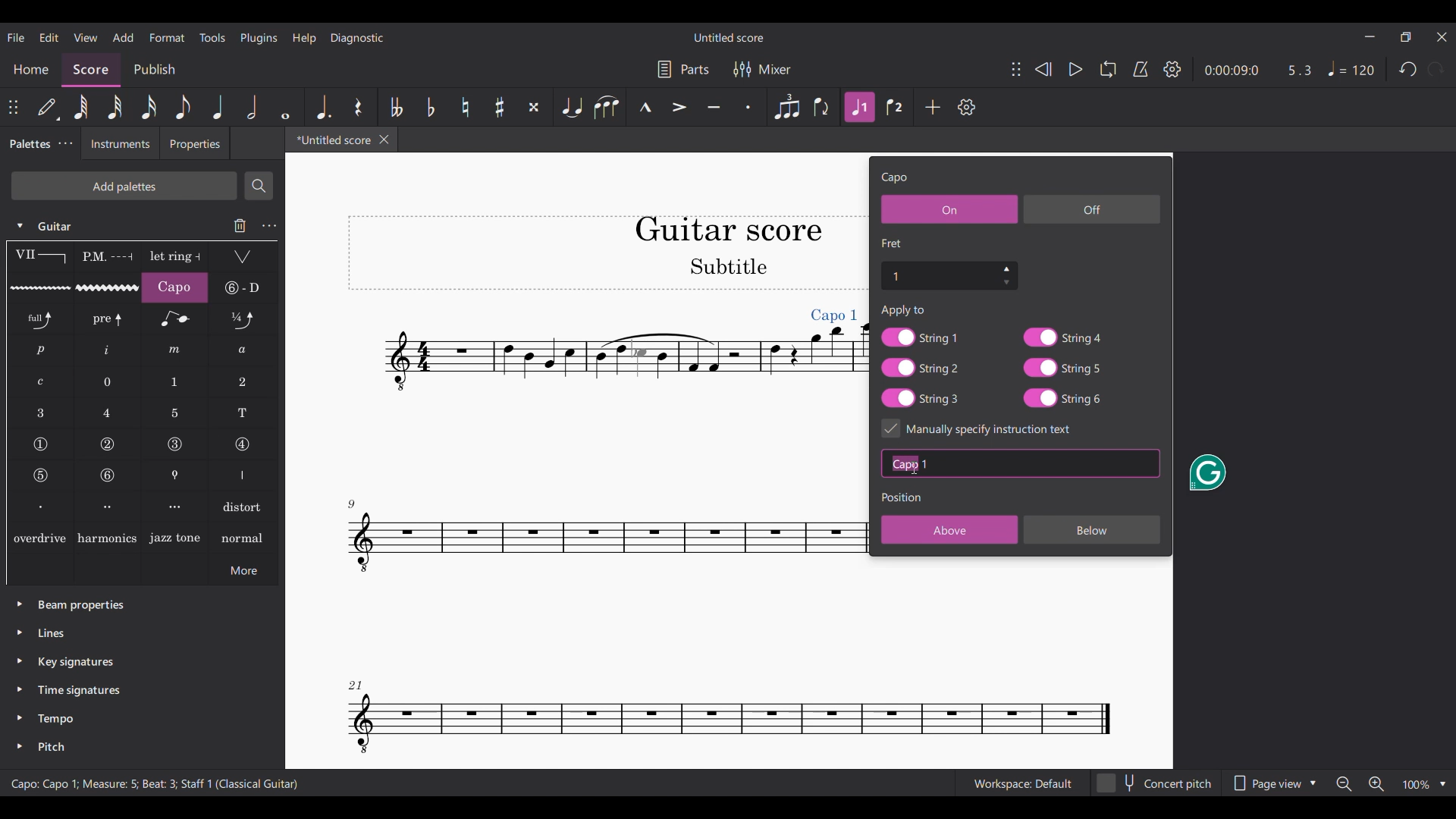 The width and height of the screenshot is (1456, 819). What do you see at coordinates (41, 319) in the screenshot?
I see `Standard bend` at bounding box center [41, 319].